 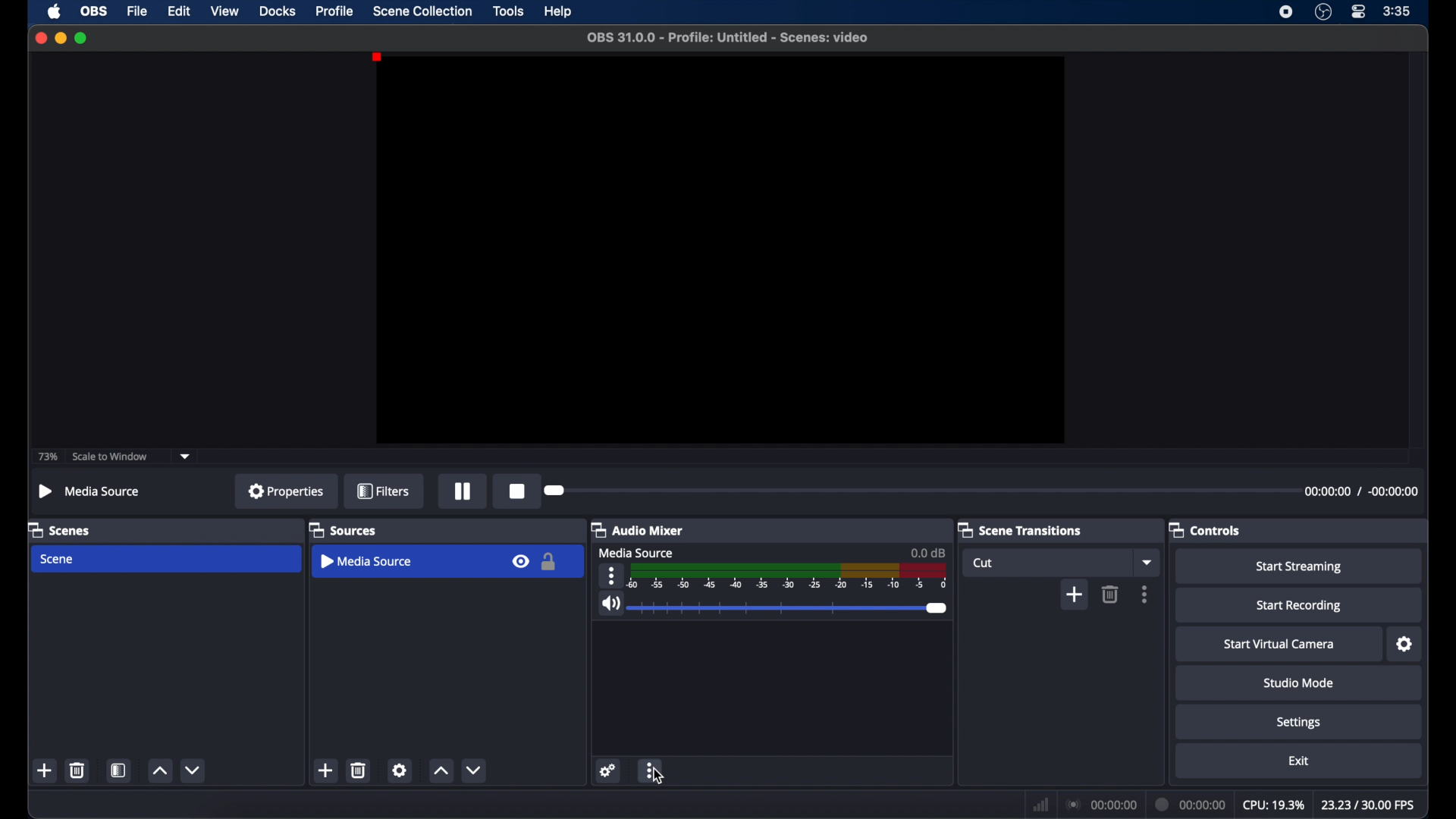 What do you see at coordinates (1370, 805) in the screenshot?
I see `fps` at bounding box center [1370, 805].